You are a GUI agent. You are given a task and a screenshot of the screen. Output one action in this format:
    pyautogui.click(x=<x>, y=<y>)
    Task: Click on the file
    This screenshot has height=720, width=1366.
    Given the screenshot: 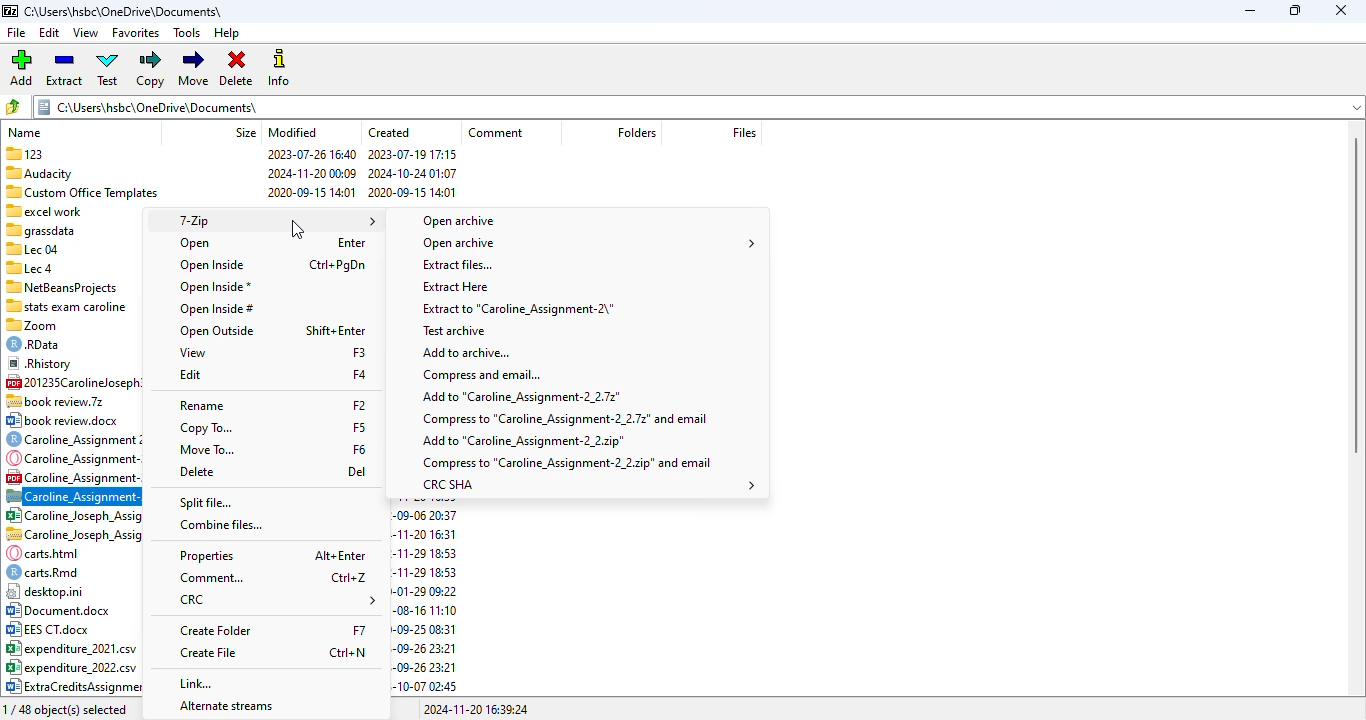 What is the action you would take?
    pyautogui.click(x=17, y=33)
    